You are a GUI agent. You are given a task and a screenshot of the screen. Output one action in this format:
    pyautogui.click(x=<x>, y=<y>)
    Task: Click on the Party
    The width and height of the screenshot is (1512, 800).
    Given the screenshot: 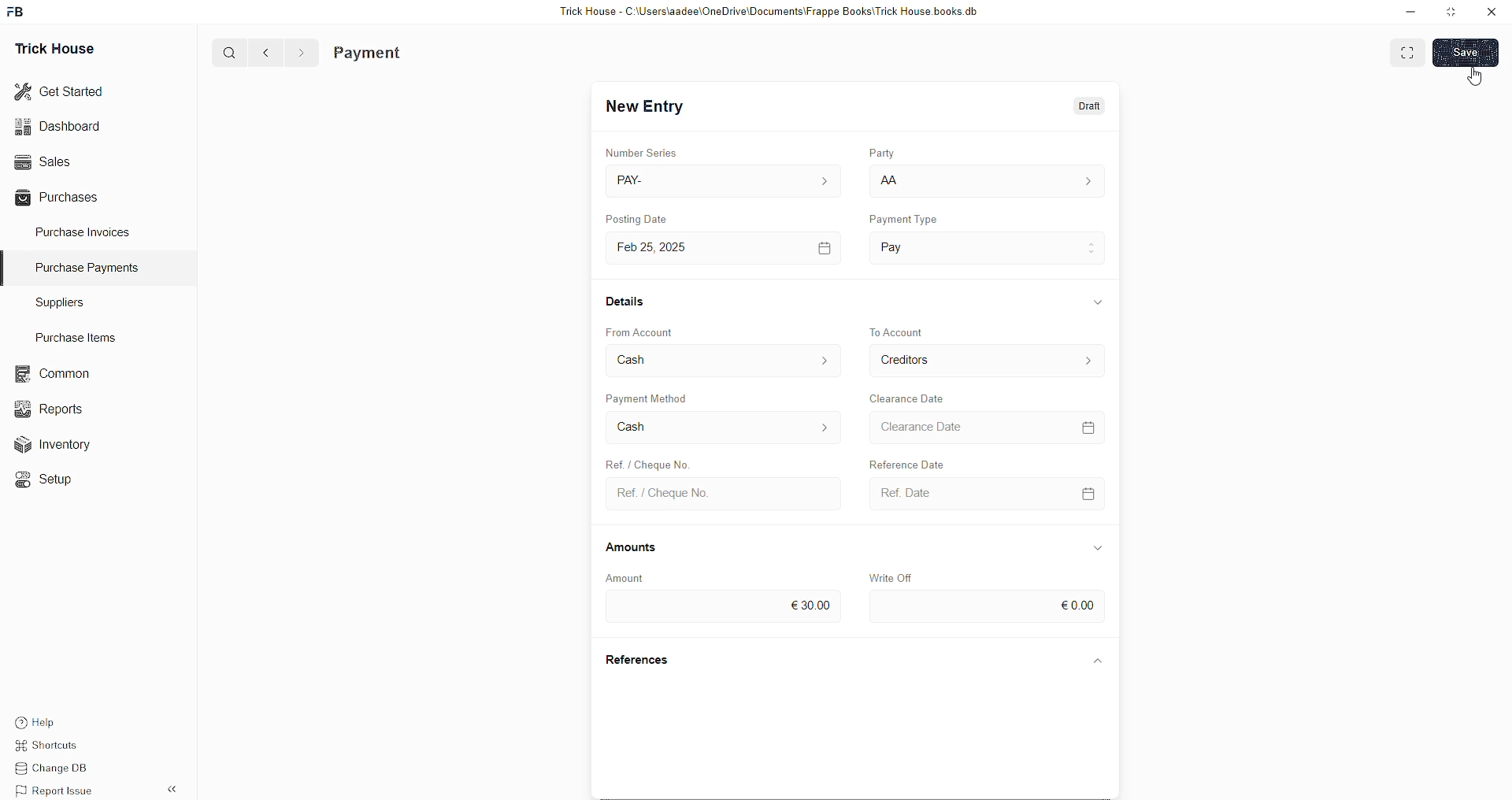 What is the action you would take?
    pyautogui.click(x=876, y=154)
    